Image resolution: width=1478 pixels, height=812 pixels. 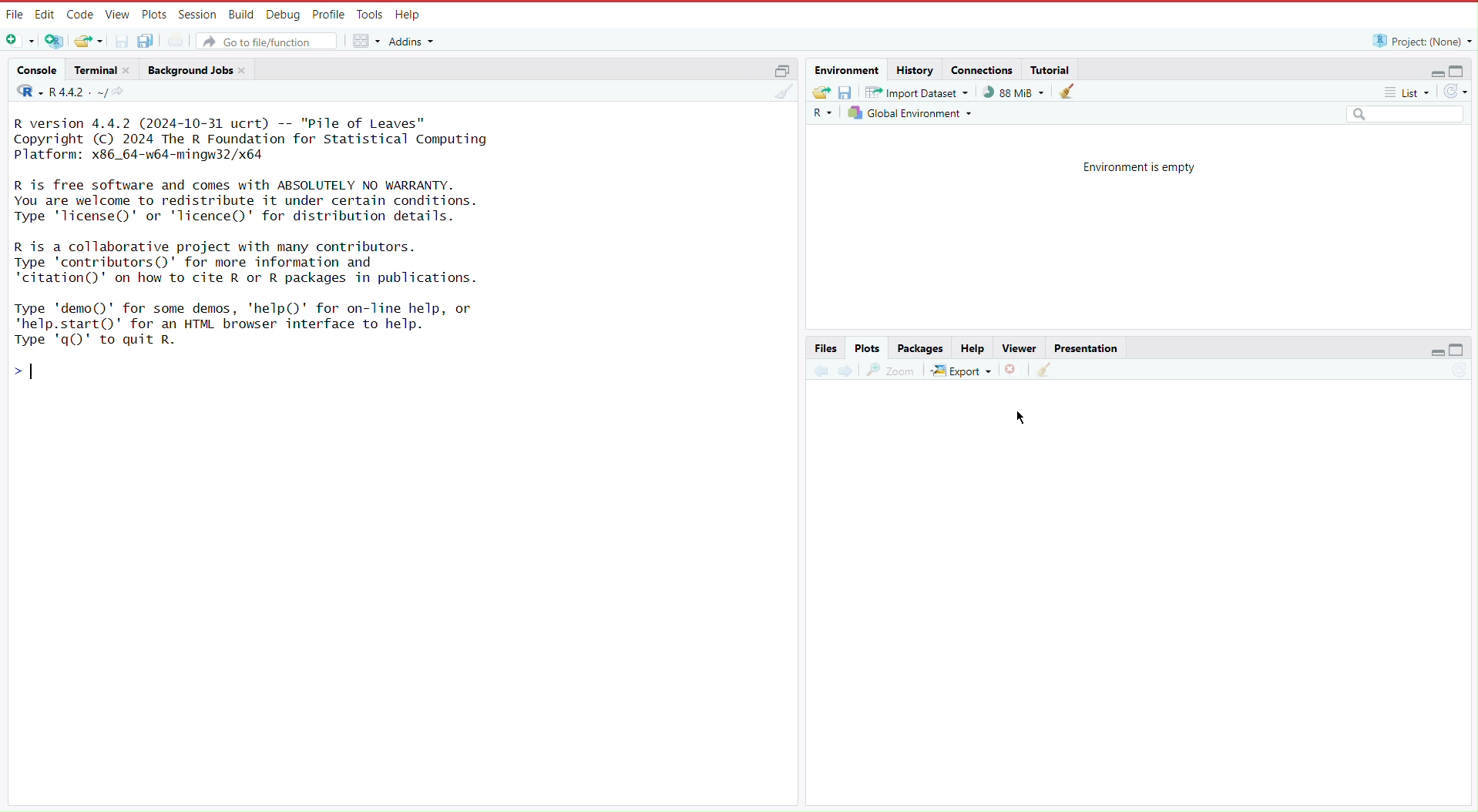 I want to click on R version 4.4.2 (2024-10-51 ucrt) -- "Pile of Leaves"
Copyright (C) 2024 The R Foundation for Statistical Computing
Platform: x86_64-w64-mingw32/x64

R is free software and comes with ABSOLUTELY NO WARRANTY.
You are welcome to redistribute it under certain conditions.
Type 'Ticense()' or 'licence(D' for distribution details.

R is a collaborative project with many contributors.

Type 'contributors()' for more information and

‘citation()' on how to cite R or R packages in publications.
Type 'demo()' for some demos, 'help()' for on-line help, or
'help.start()' for an HTML browser interface to help.

Type 'qQ)' to quit R., so click(x=277, y=233).